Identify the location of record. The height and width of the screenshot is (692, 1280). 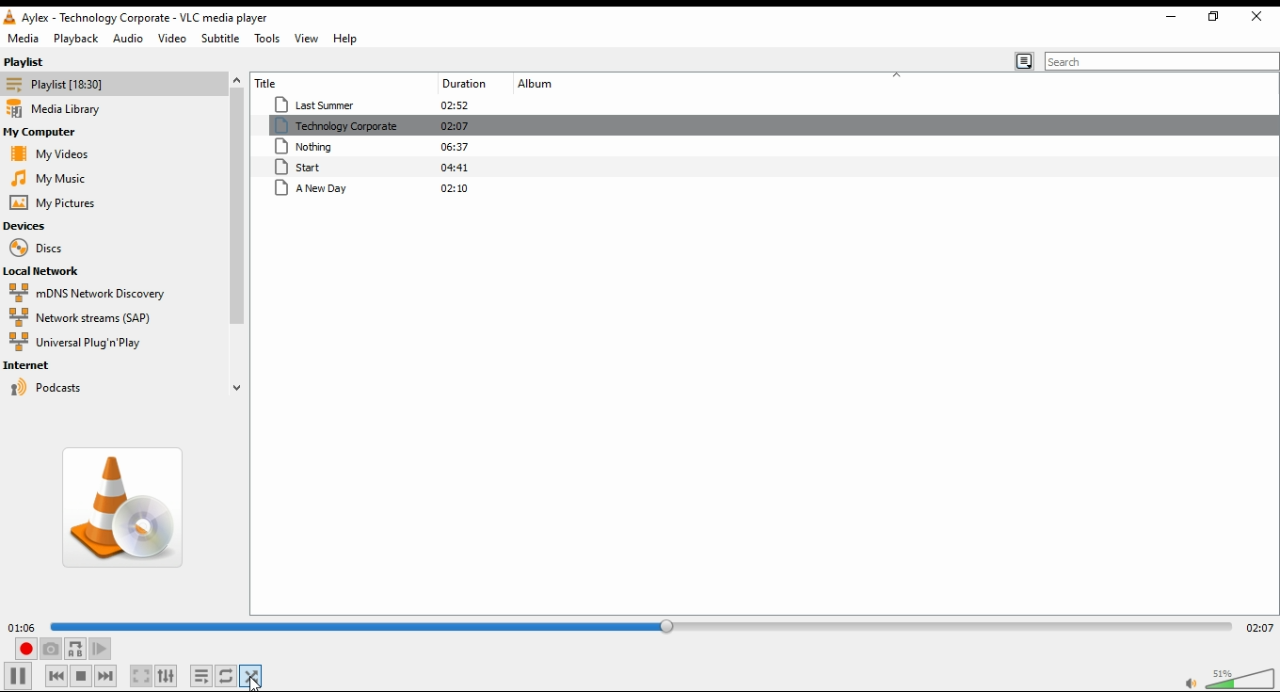
(26, 649).